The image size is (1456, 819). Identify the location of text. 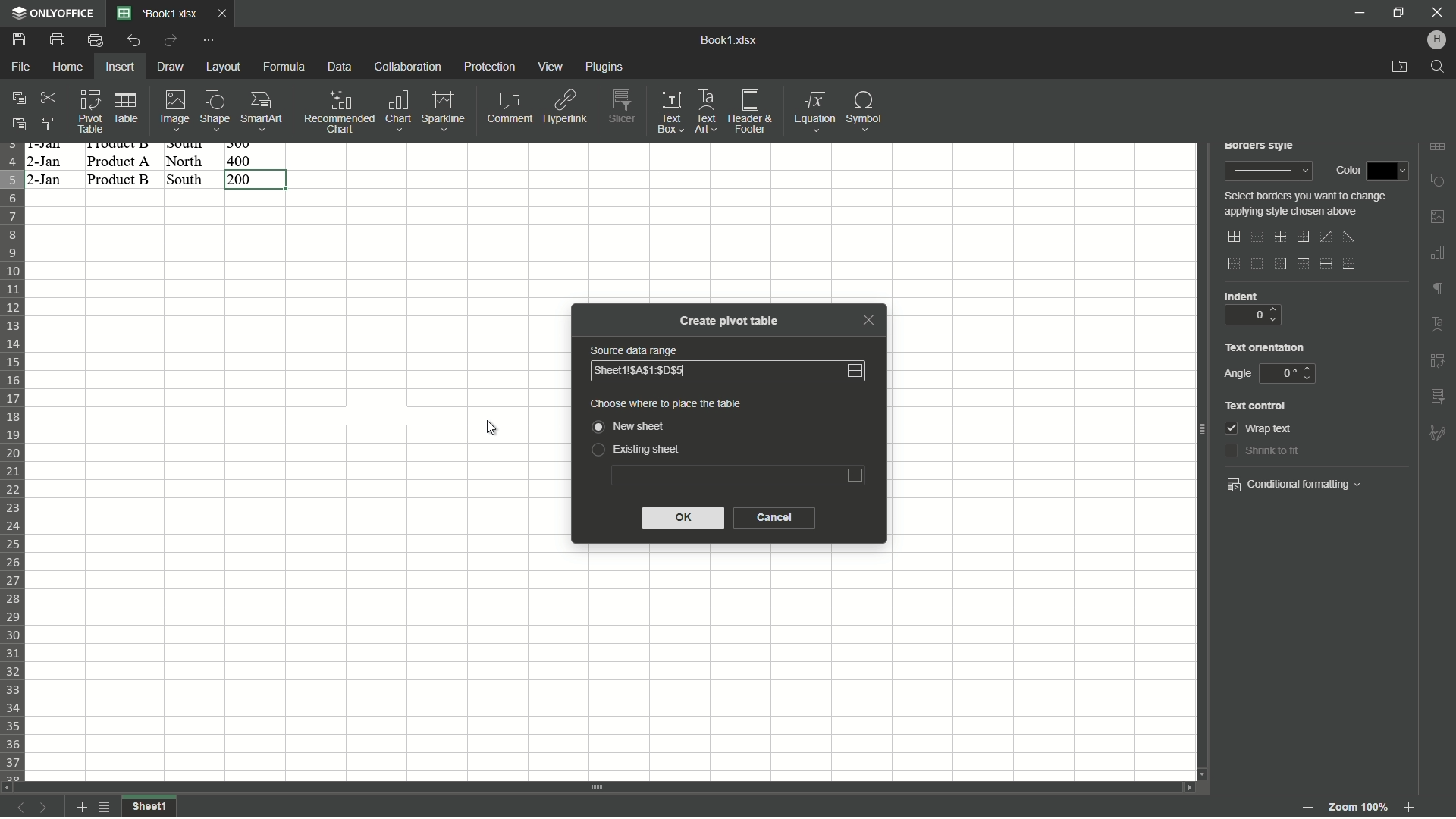
(1305, 203).